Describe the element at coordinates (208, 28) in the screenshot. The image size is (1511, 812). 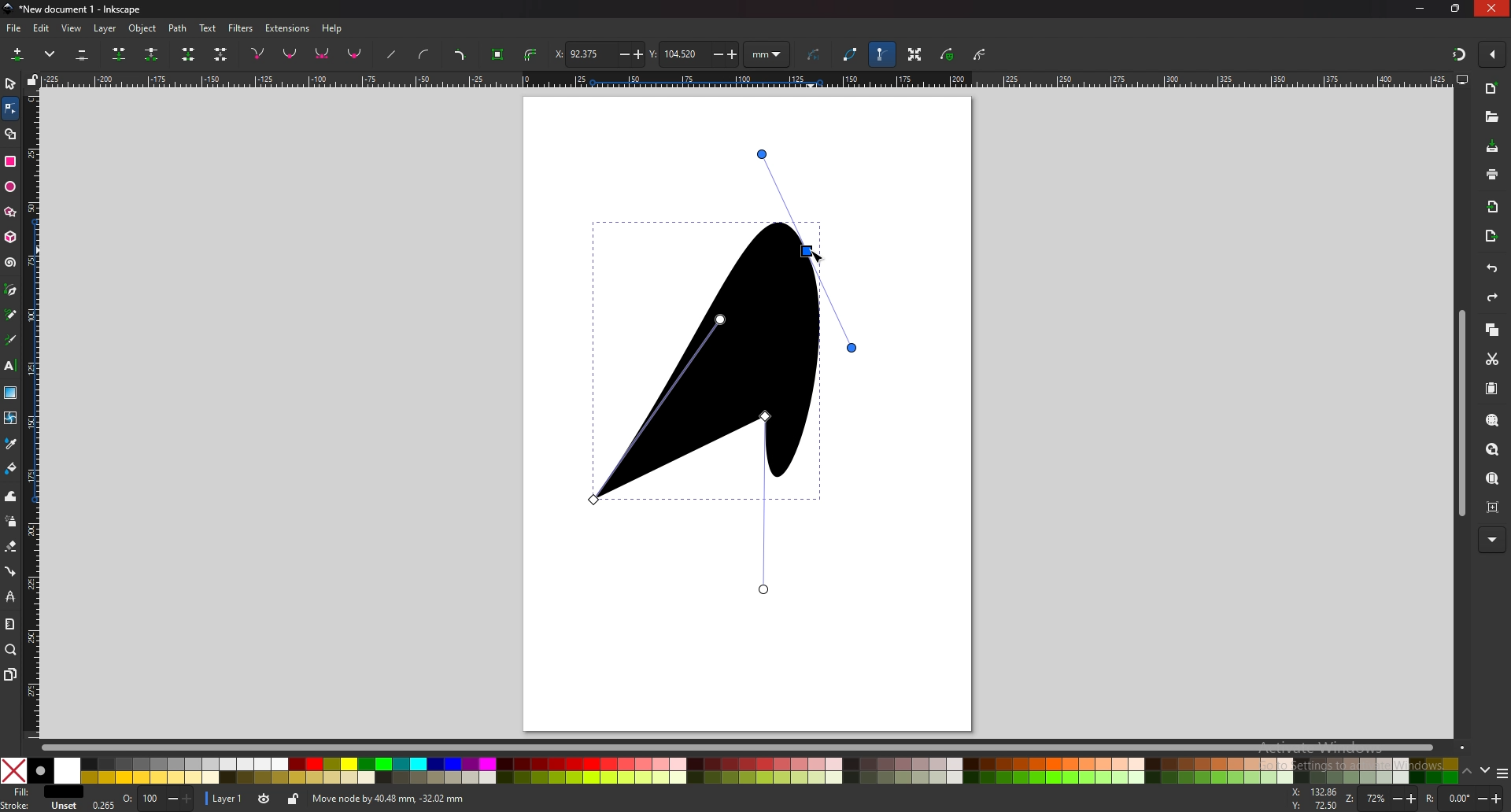
I see `text` at that location.